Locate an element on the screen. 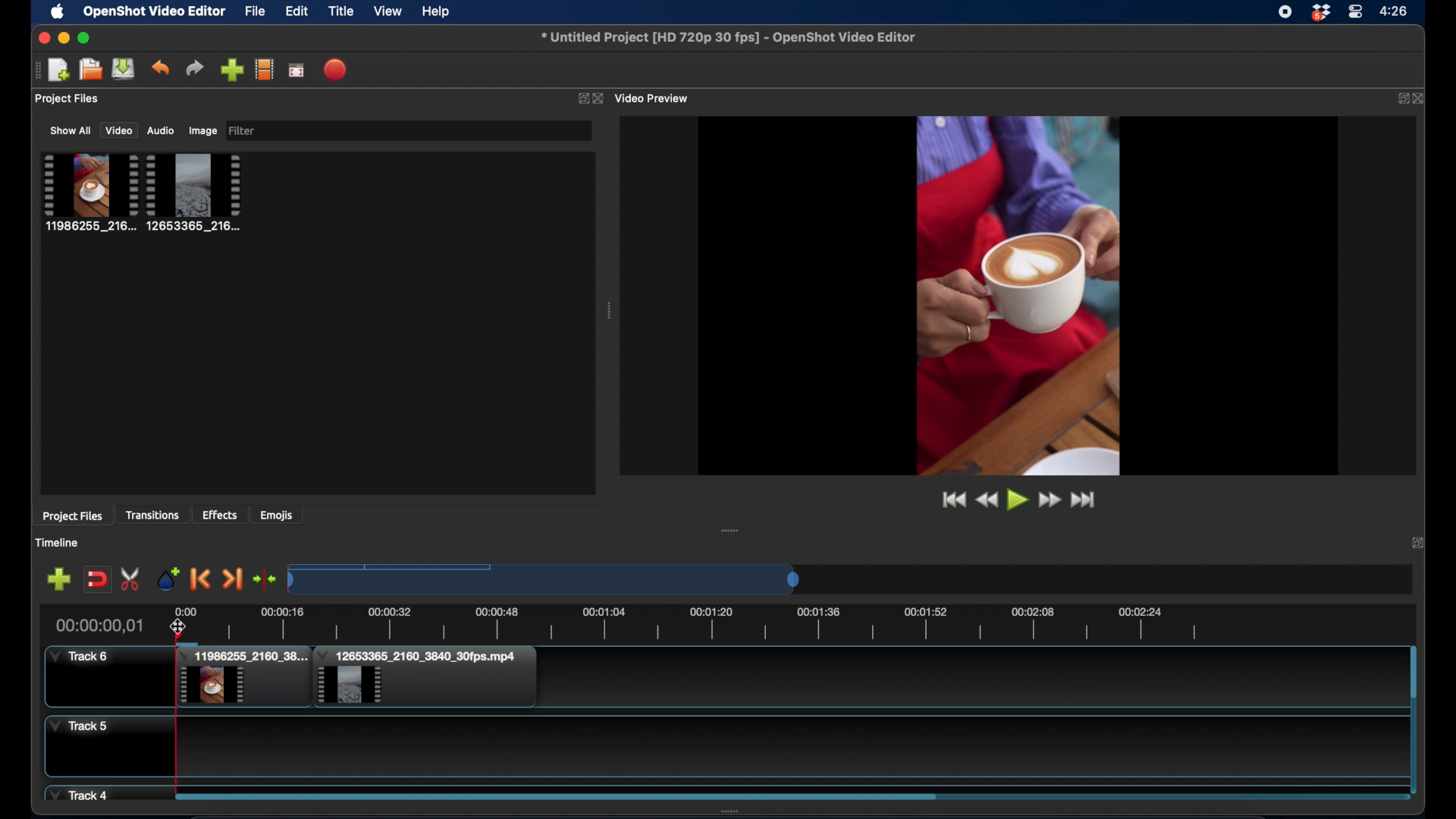  close is located at coordinates (41, 37).